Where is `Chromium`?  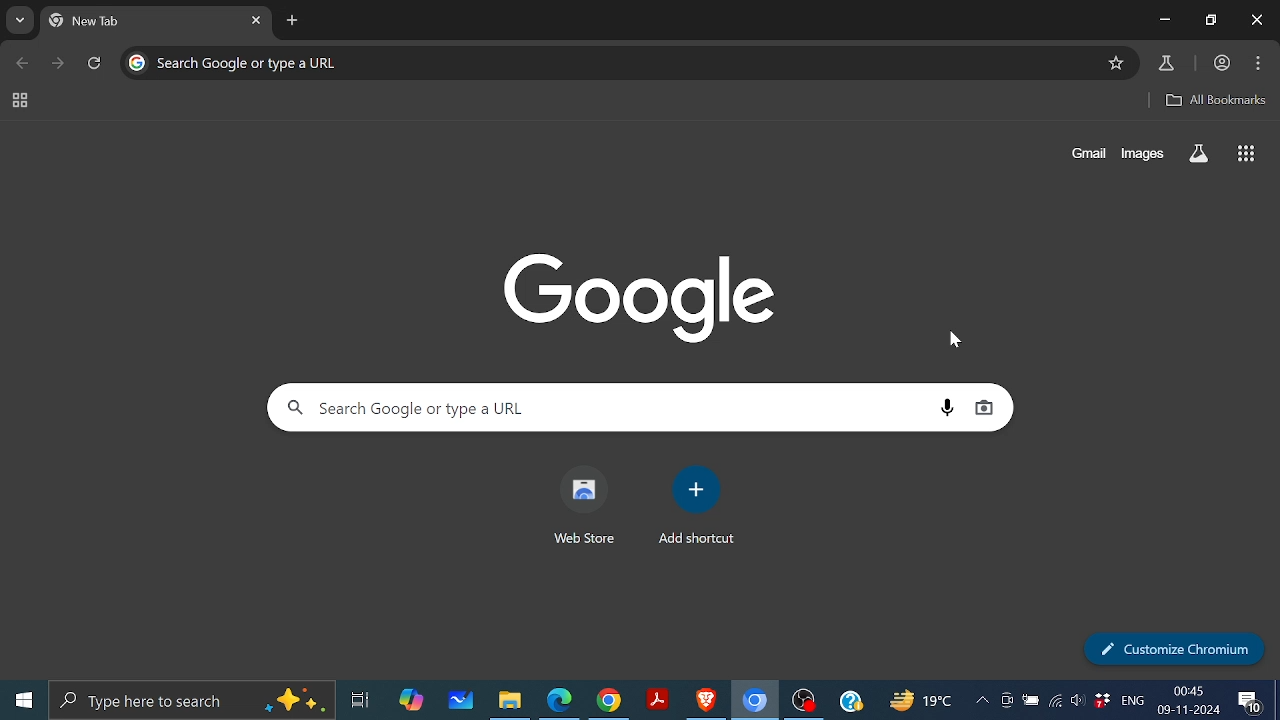 Chromium is located at coordinates (755, 700).